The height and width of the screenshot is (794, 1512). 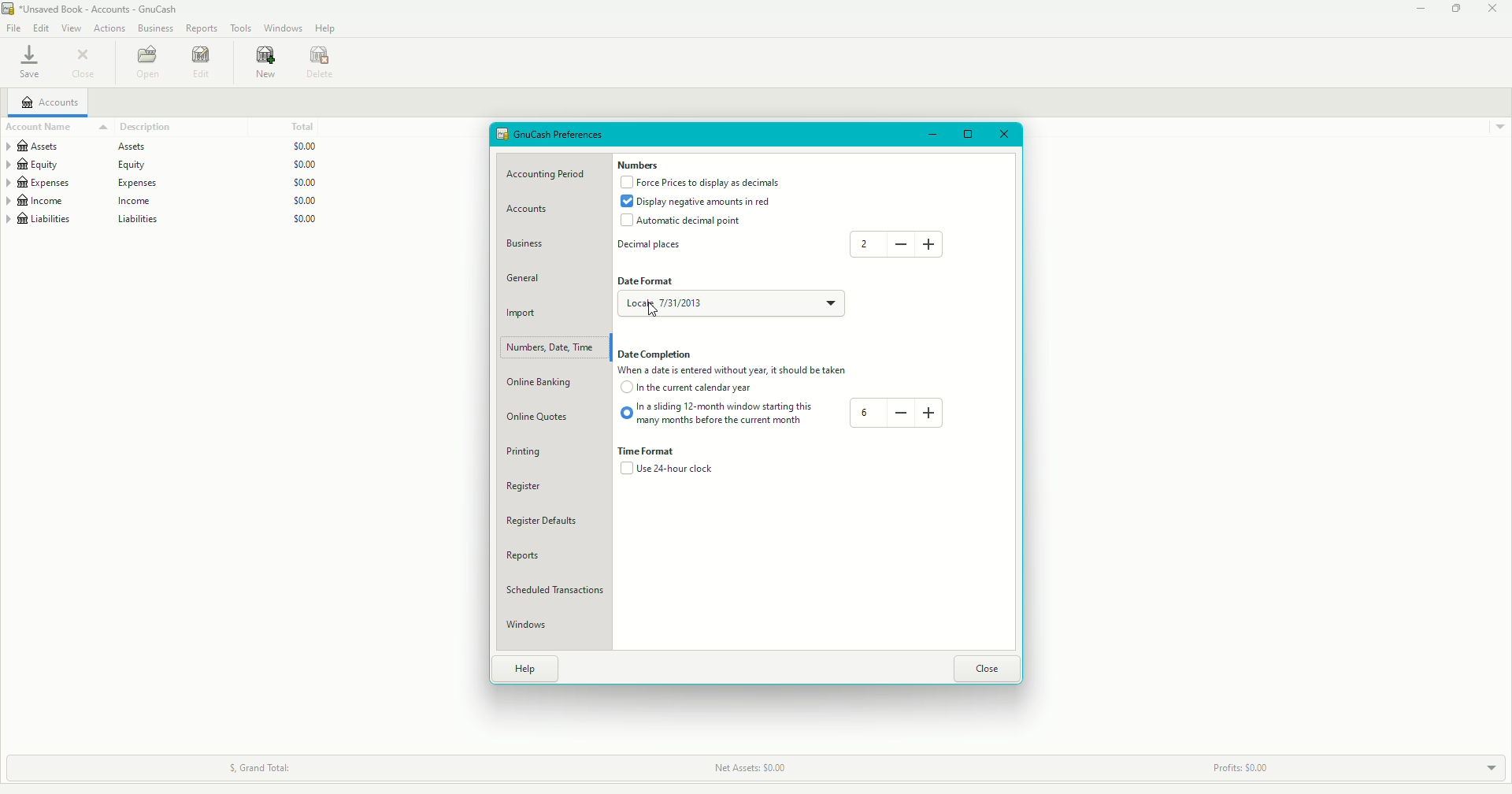 What do you see at coordinates (720, 414) in the screenshot?
I see `Sliding 12-month window` at bounding box center [720, 414].